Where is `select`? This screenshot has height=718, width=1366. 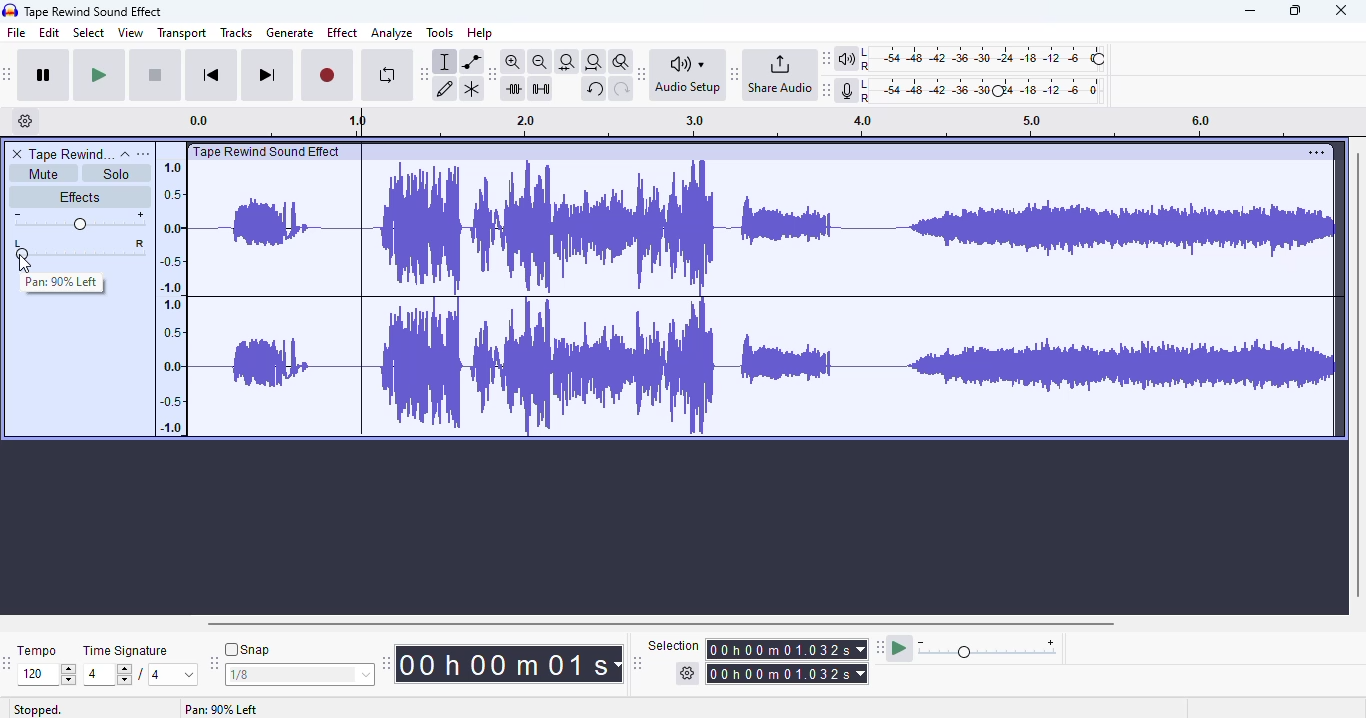
select is located at coordinates (90, 32).